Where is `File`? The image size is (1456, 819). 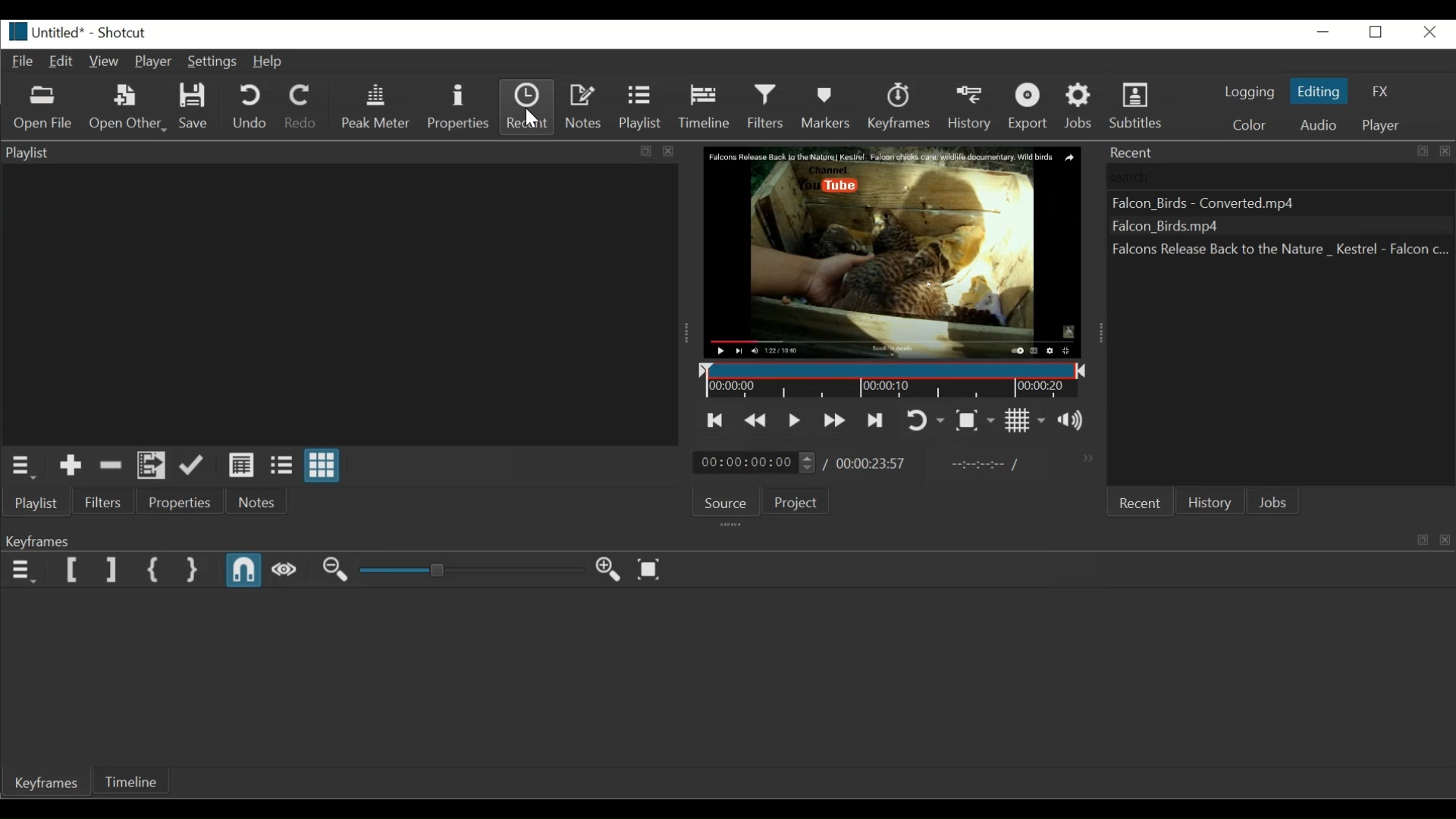
File is located at coordinates (22, 62).